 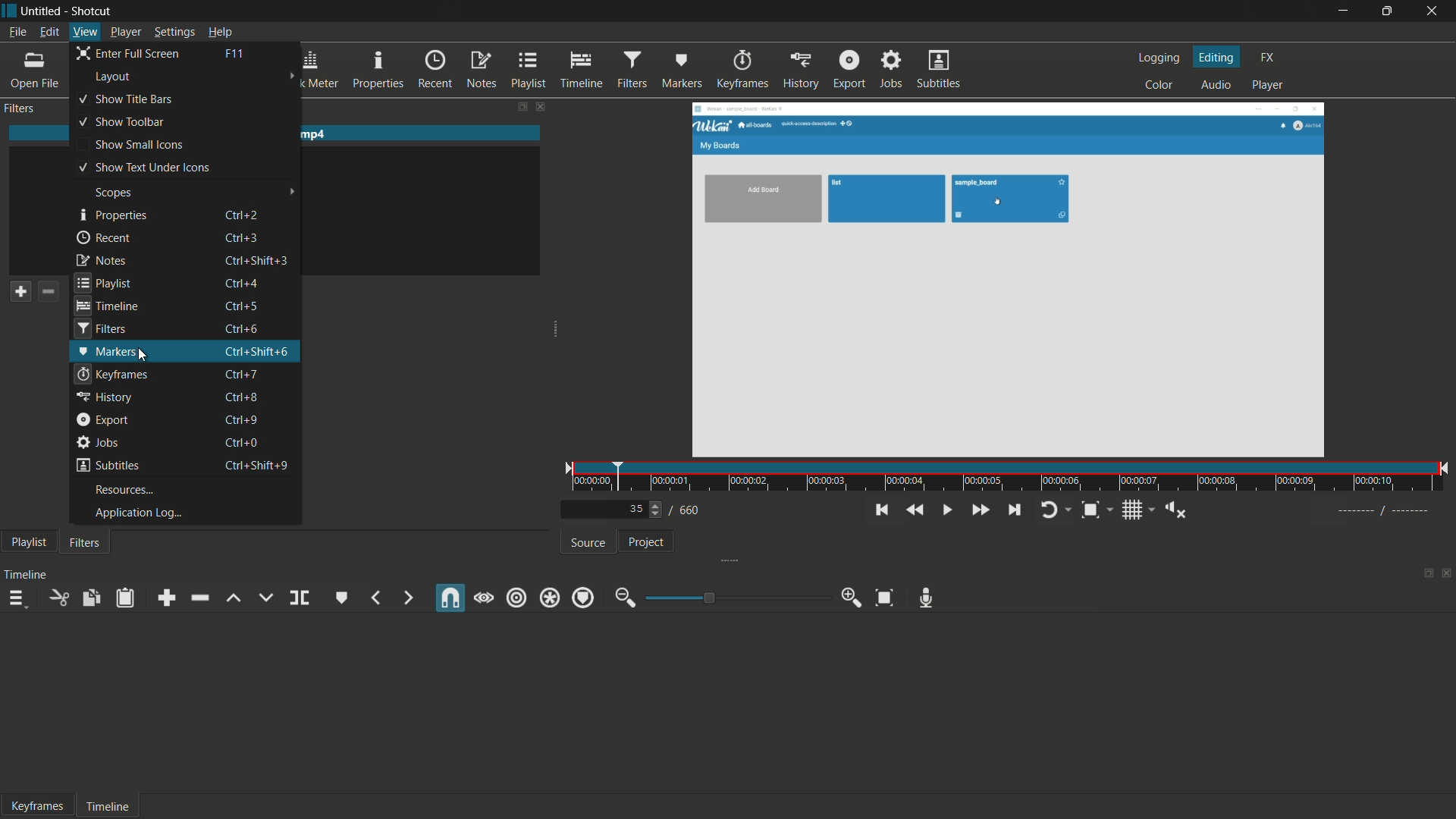 I want to click on keyboard shortcut, so click(x=242, y=375).